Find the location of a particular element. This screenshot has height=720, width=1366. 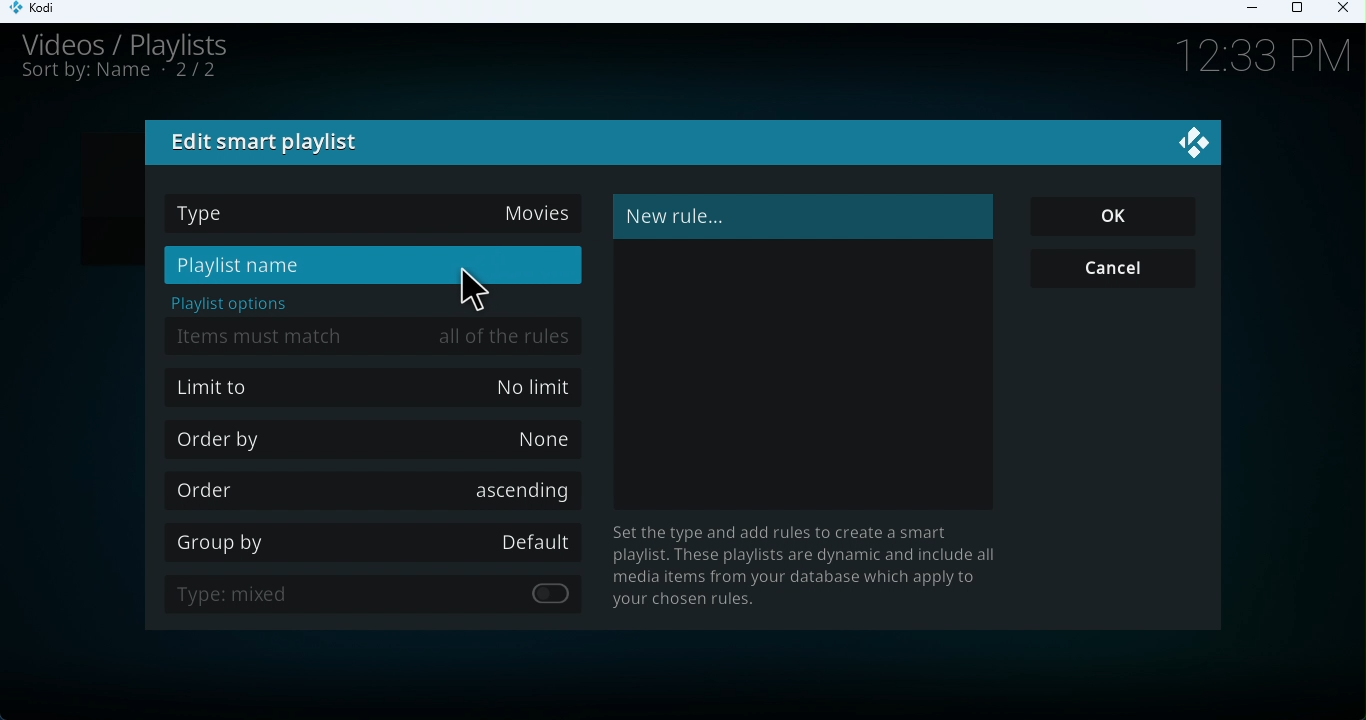

Maximize is located at coordinates (1301, 9).